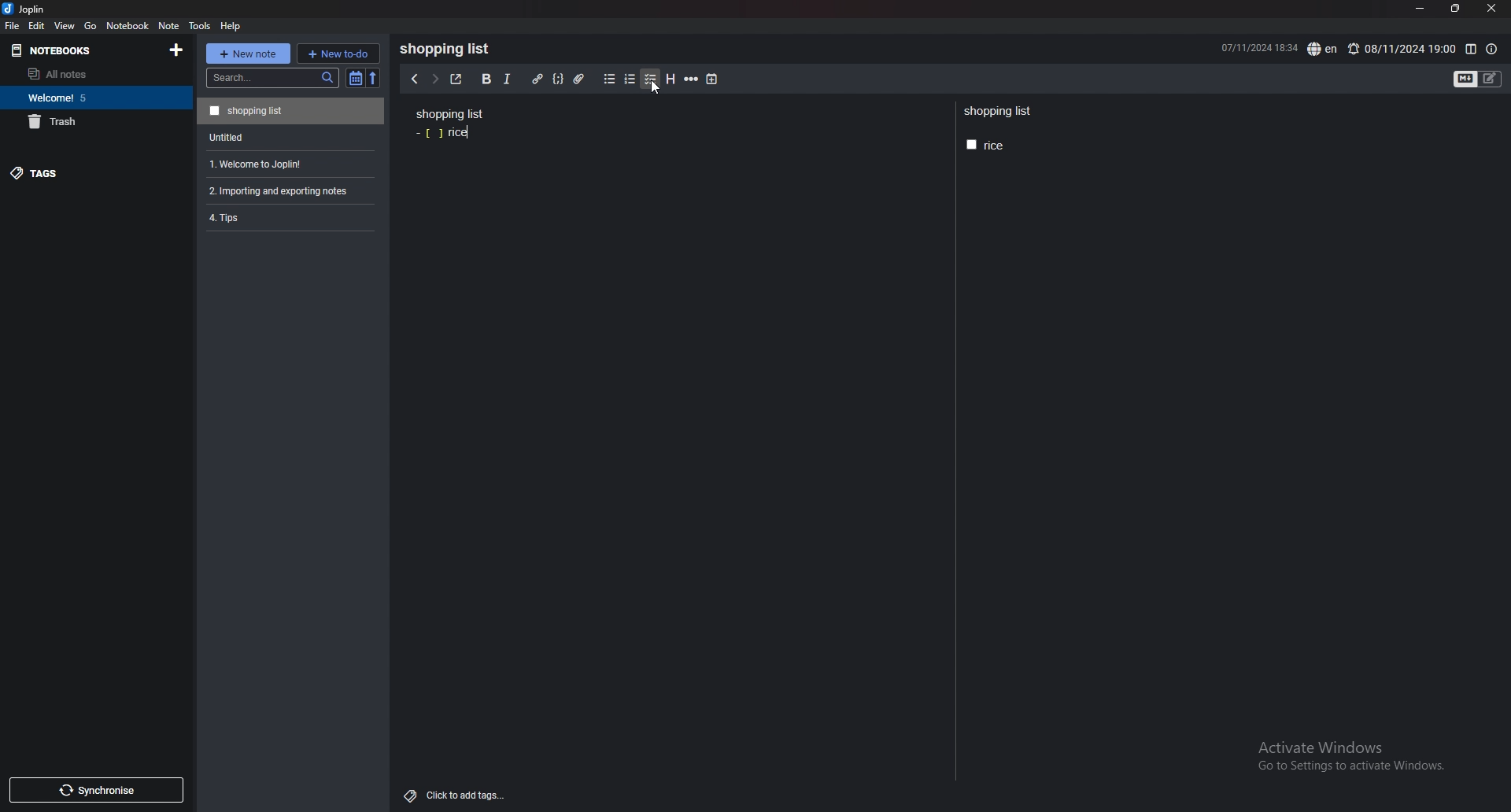  What do you see at coordinates (170, 26) in the screenshot?
I see `note` at bounding box center [170, 26].